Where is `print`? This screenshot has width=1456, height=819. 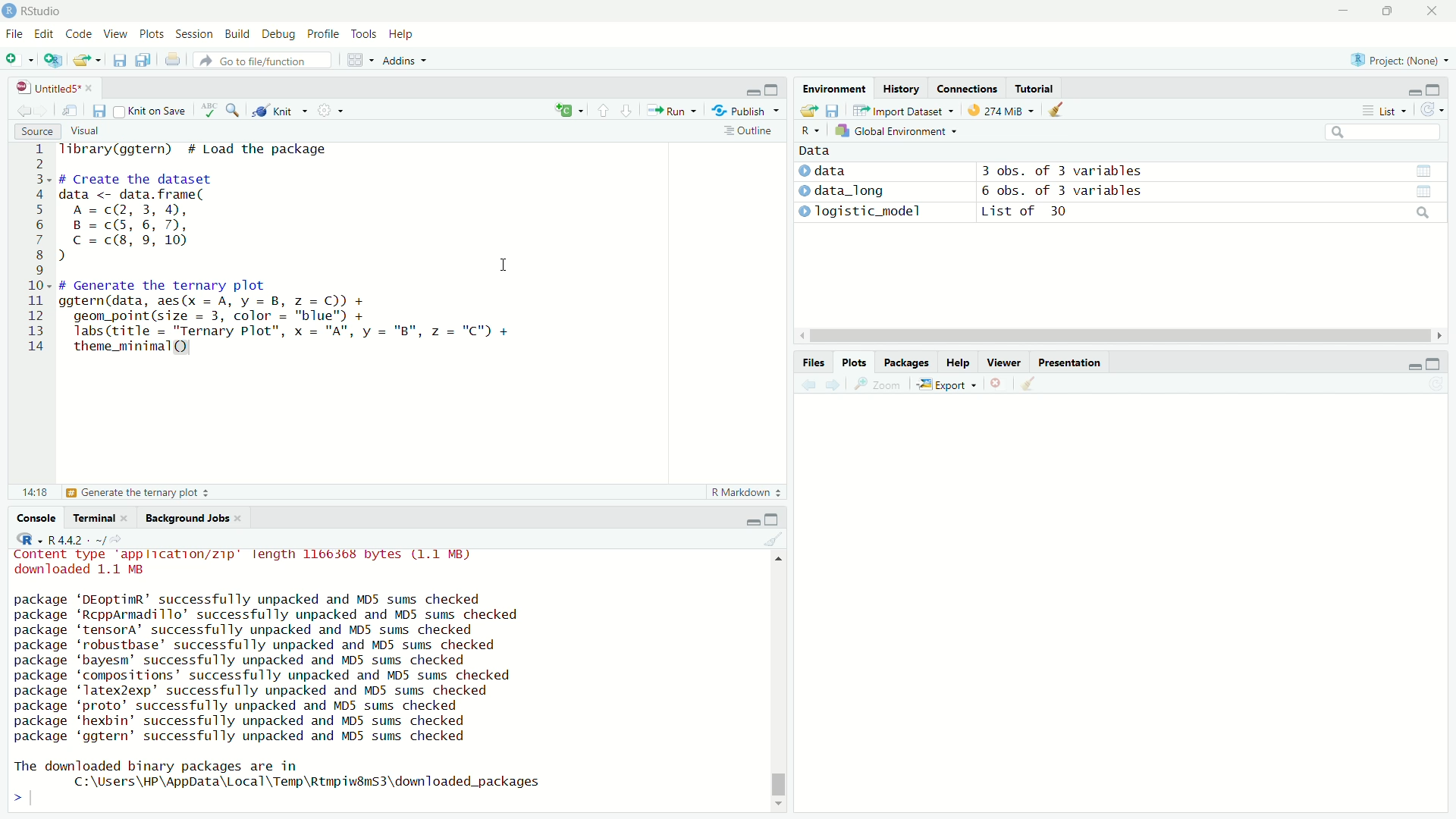
print is located at coordinates (176, 63).